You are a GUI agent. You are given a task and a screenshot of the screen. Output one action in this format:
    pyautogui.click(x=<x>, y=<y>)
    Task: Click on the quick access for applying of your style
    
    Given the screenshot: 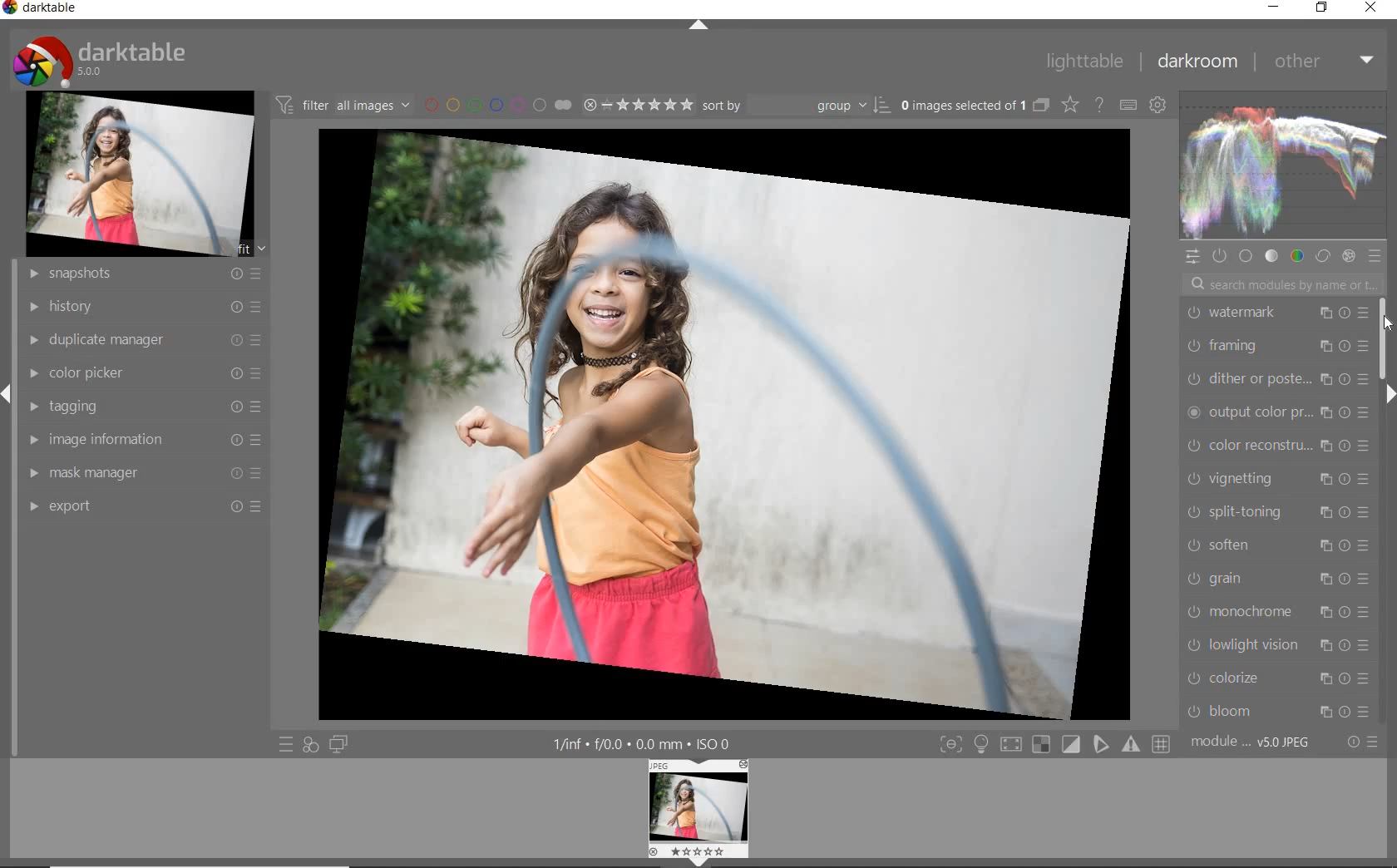 What is the action you would take?
    pyautogui.click(x=309, y=743)
    